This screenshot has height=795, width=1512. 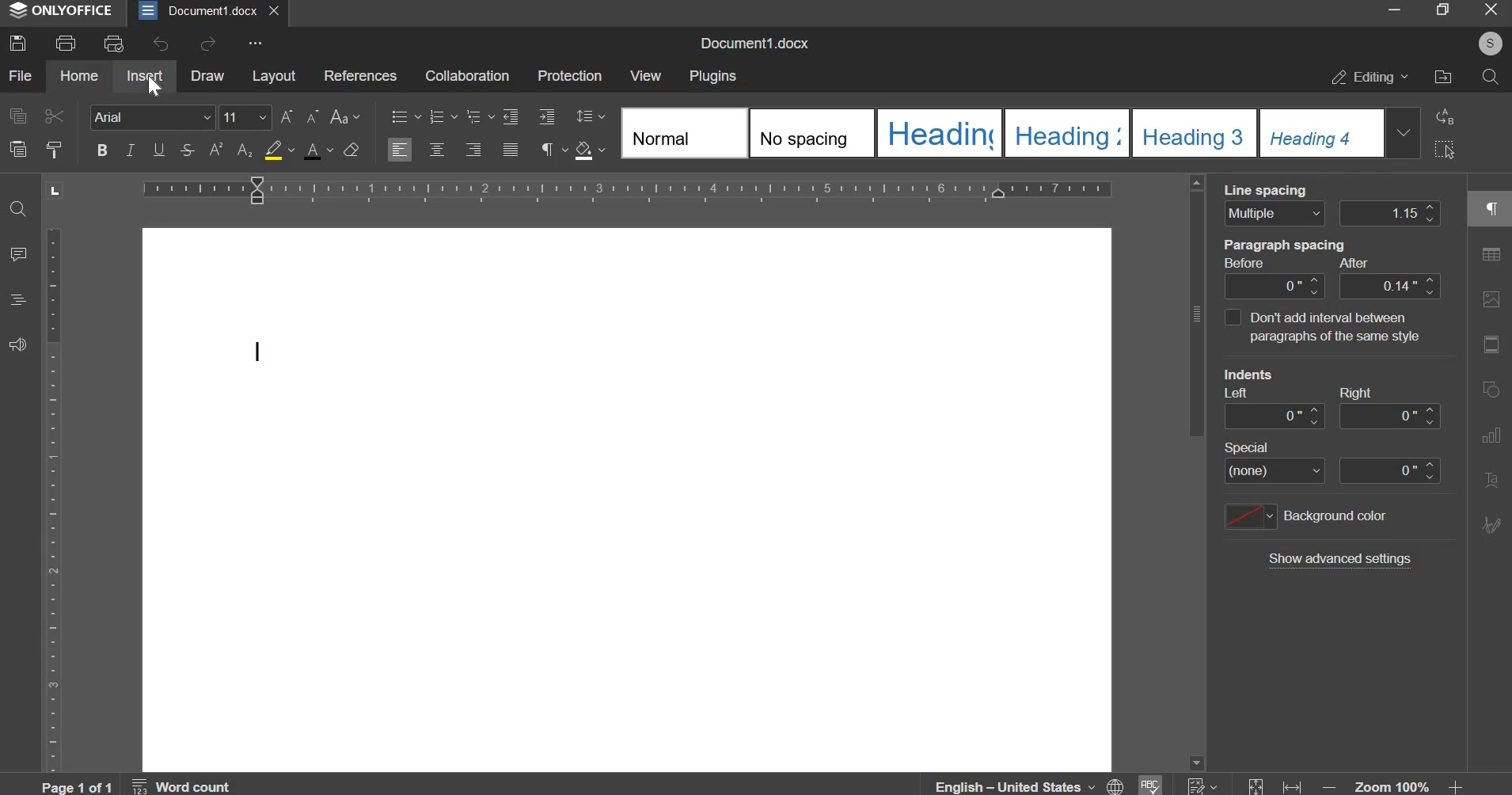 What do you see at coordinates (207, 75) in the screenshot?
I see `draw` at bounding box center [207, 75].